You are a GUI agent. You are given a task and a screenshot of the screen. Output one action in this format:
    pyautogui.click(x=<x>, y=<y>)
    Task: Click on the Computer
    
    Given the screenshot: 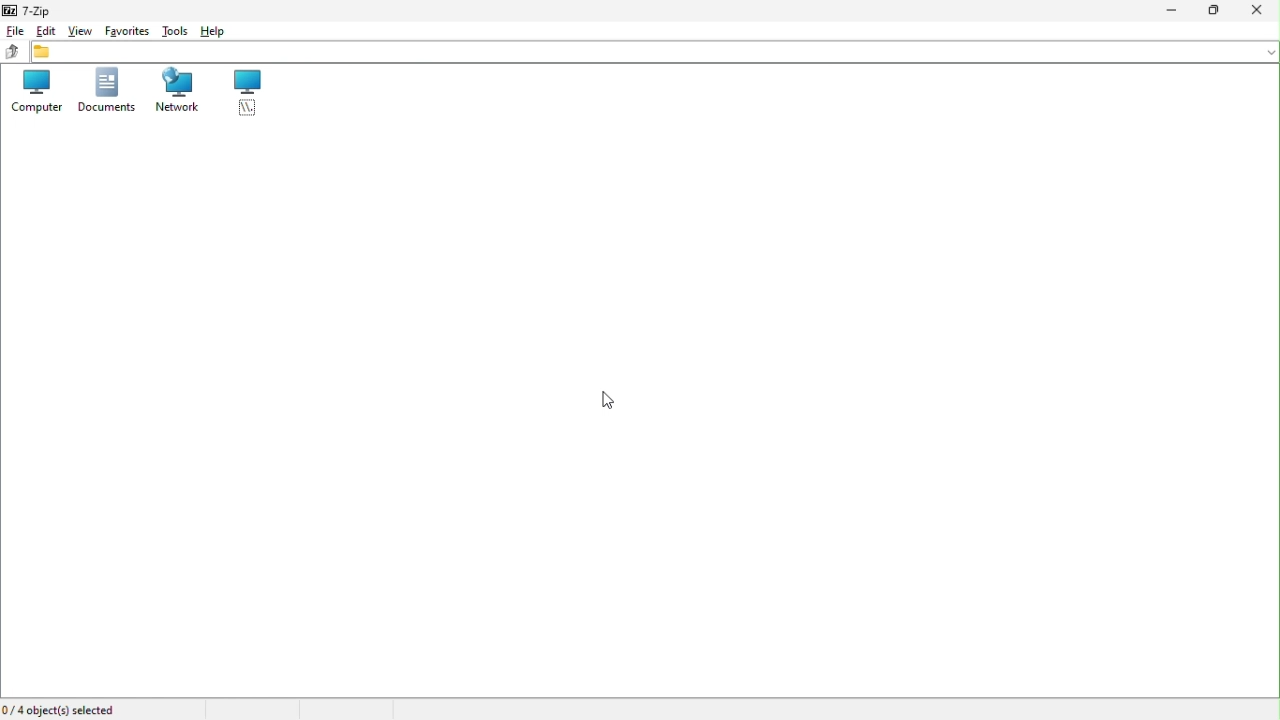 What is the action you would take?
    pyautogui.click(x=36, y=93)
    